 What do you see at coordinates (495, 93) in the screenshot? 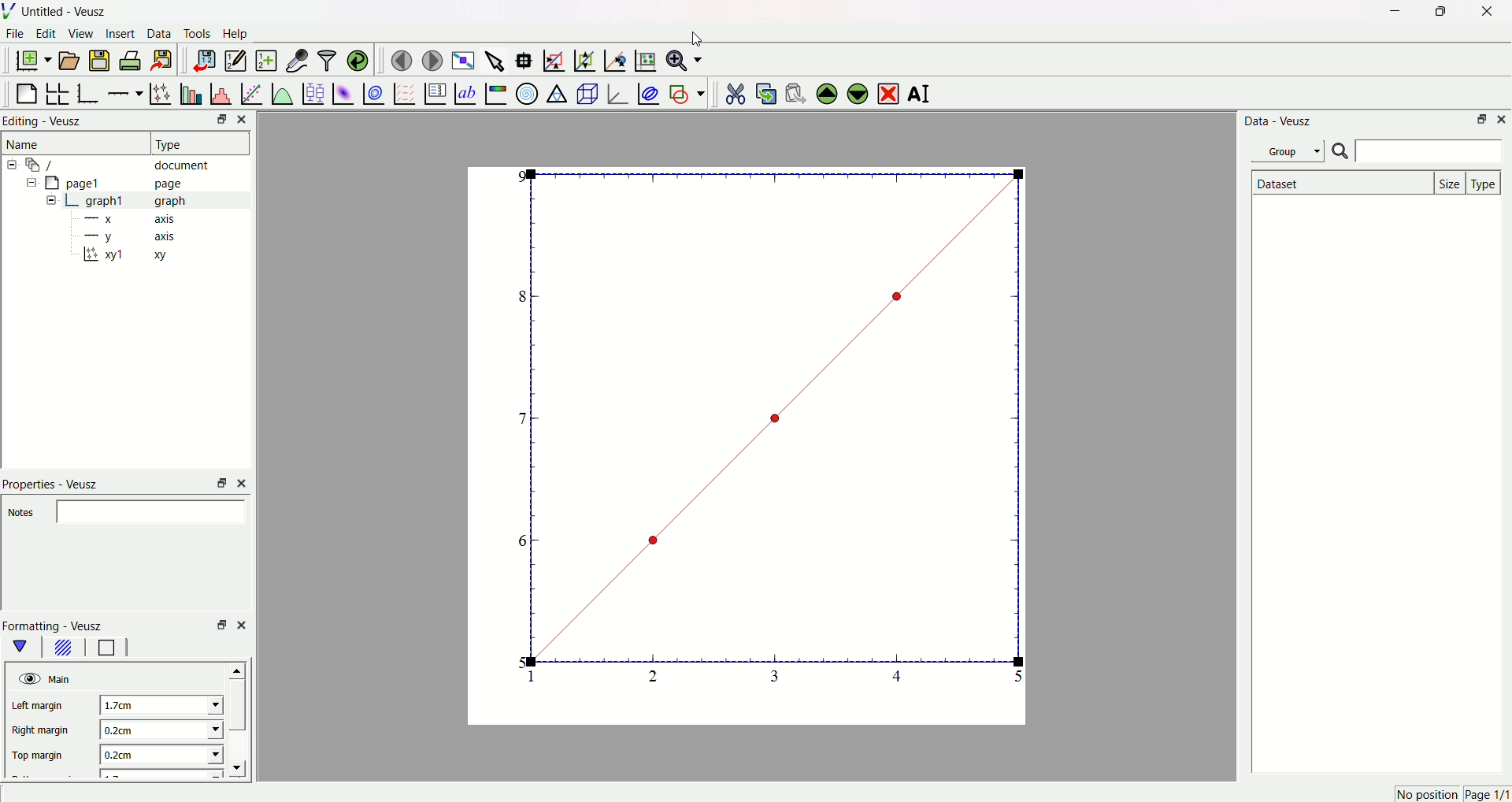
I see `image color bar` at bounding box center [495, 93].